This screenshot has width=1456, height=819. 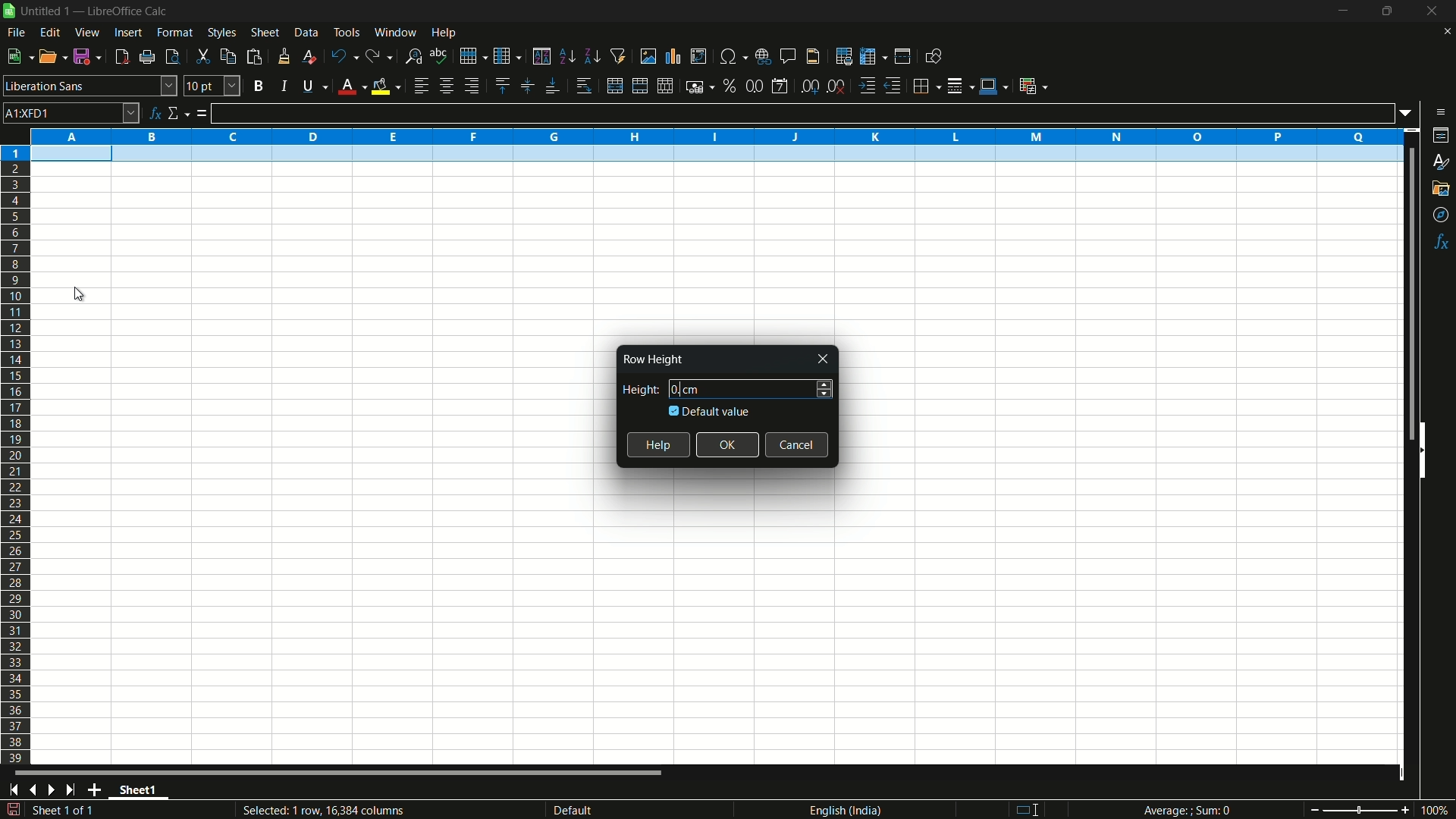 I want to click on background fill, so click(x=385, y=86).